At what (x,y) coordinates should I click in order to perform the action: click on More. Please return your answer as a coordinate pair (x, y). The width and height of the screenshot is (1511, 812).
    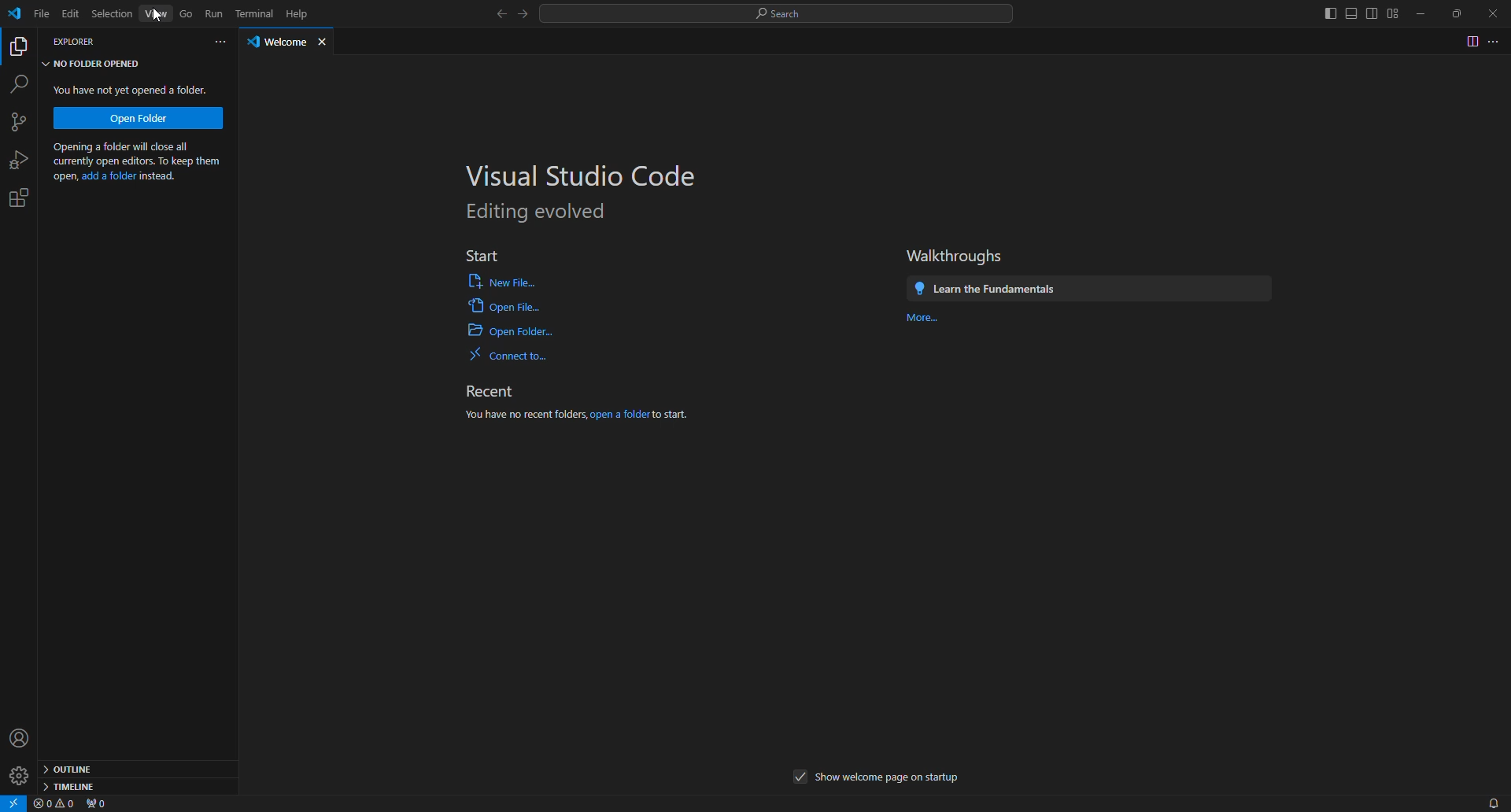
    Looking at the image, I should click on (924, 323).